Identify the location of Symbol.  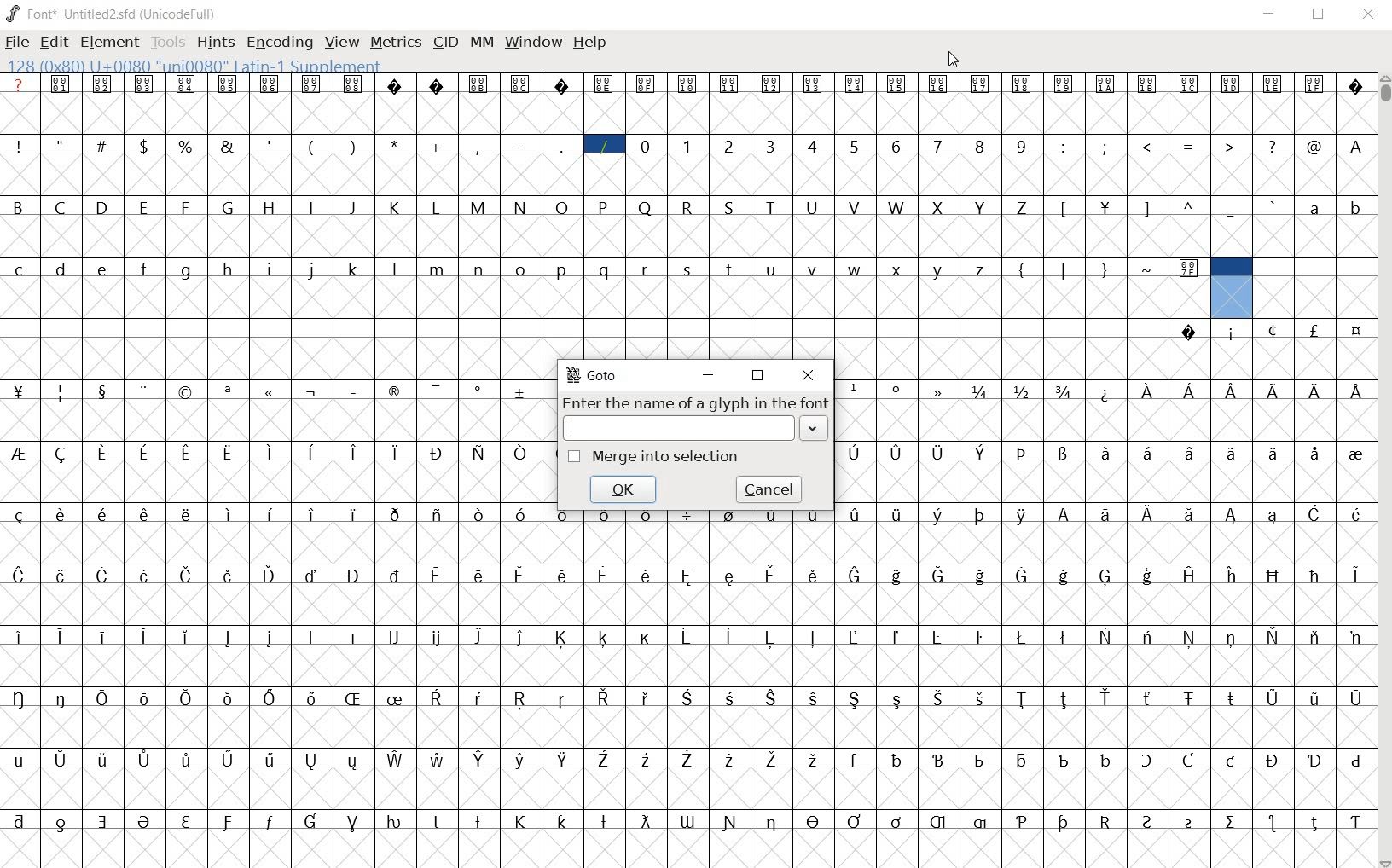
(896, 636).